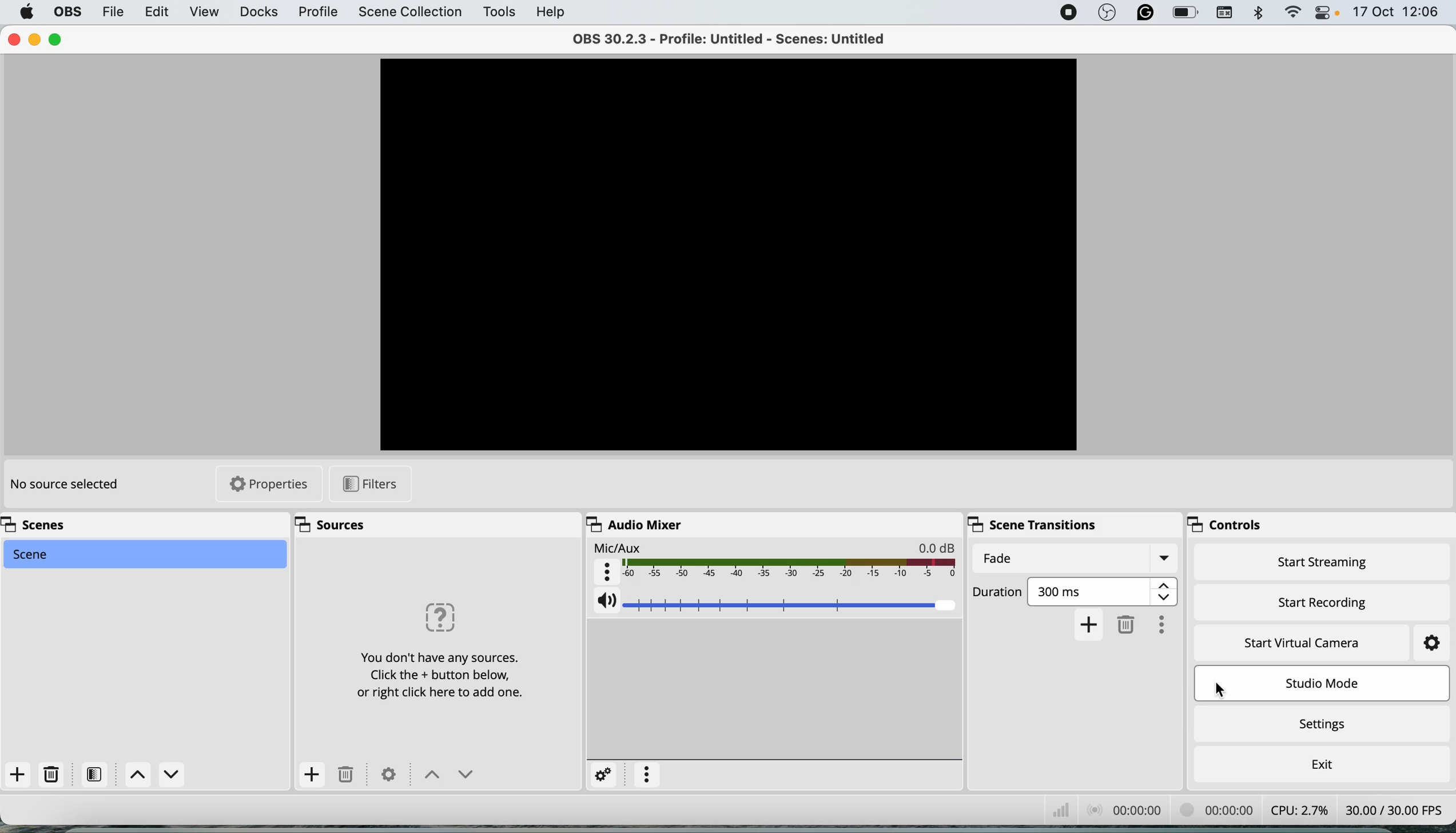  I want to click on Can
19
Sa)
You don't have any sources.
Click the + button below,
or right click here to add one., so click(425, 649).